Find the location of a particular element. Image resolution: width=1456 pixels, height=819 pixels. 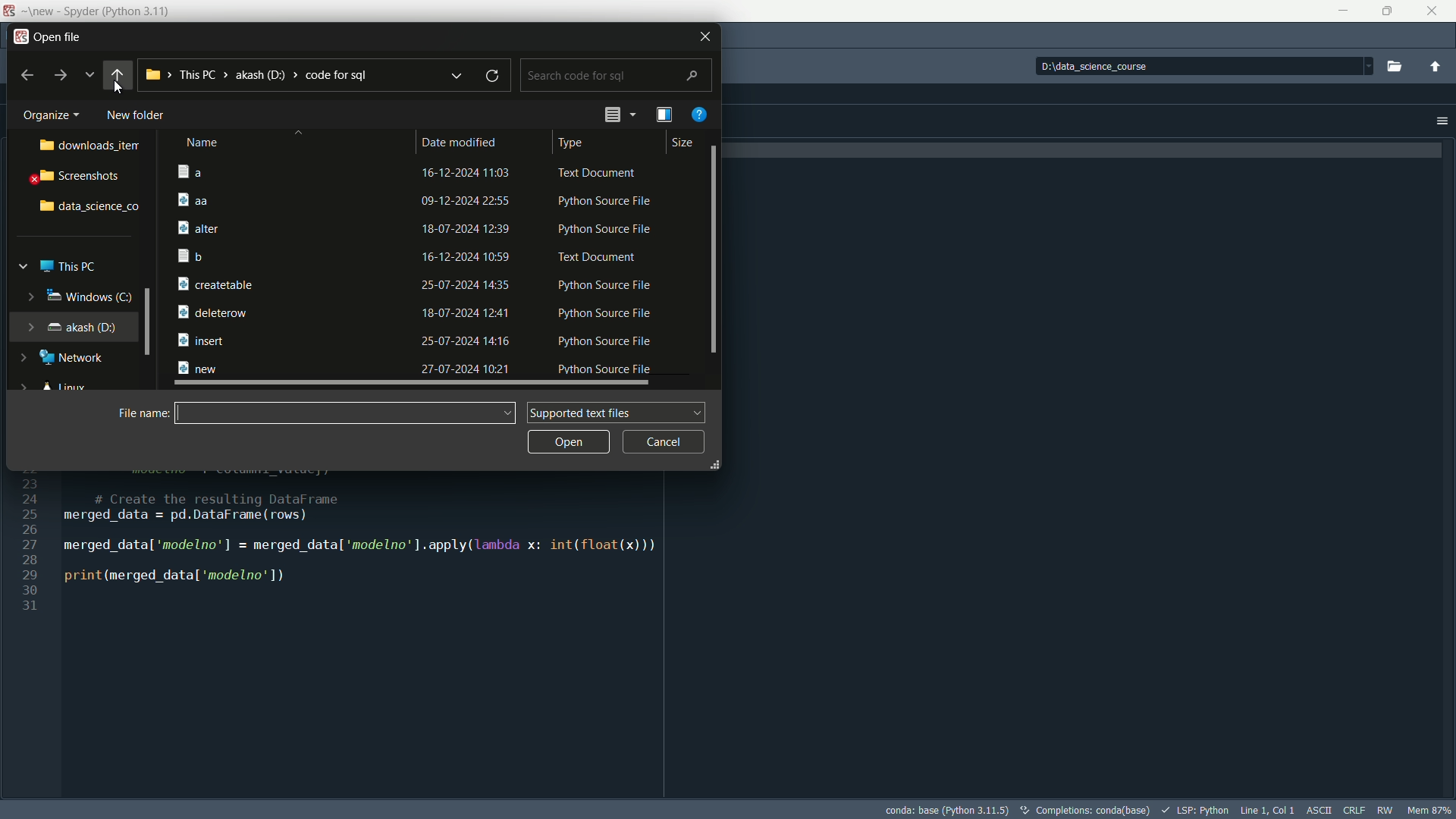

linux is located at coordinates (67, 388).